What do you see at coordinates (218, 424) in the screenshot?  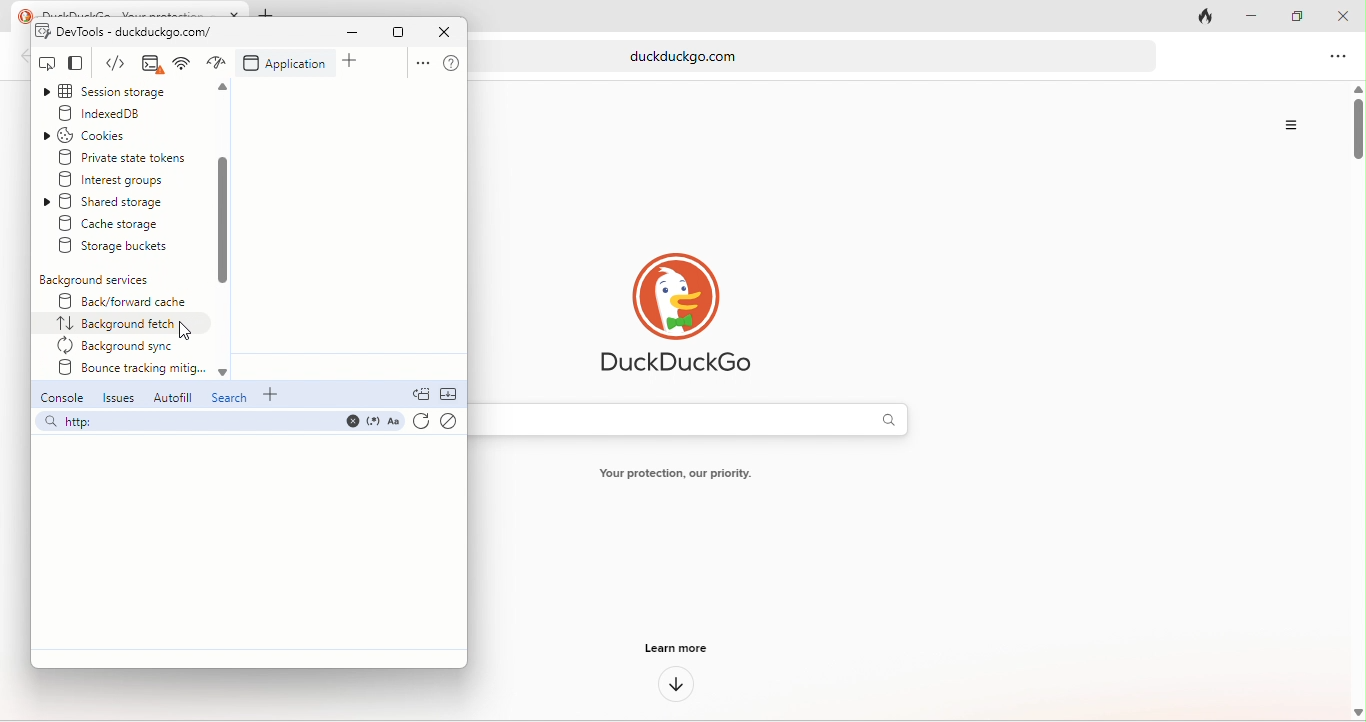 I see `search bar` at bounding box center [218, 424].